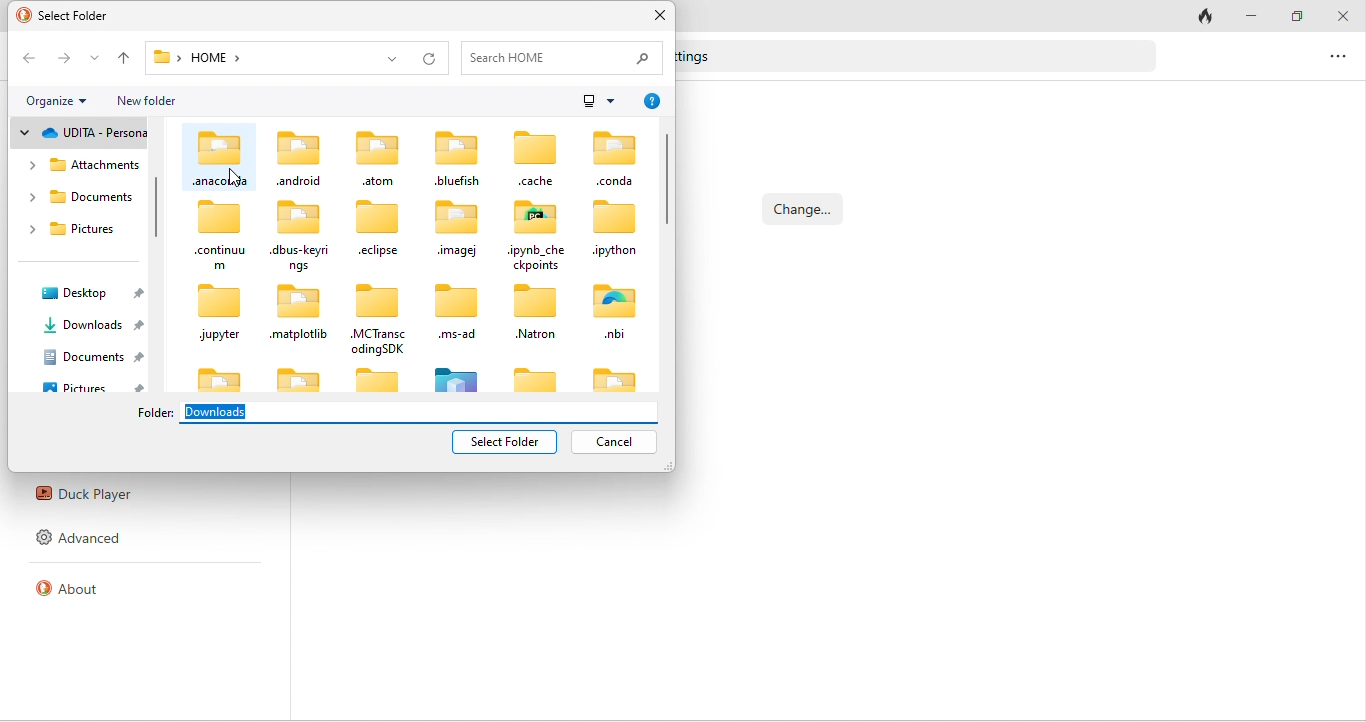 The width and height of the screenshot is (1366, 722). What do you see at coordinates (95, 59) in the screenshot?
I see `recent location` at bounding box center [95, 59].